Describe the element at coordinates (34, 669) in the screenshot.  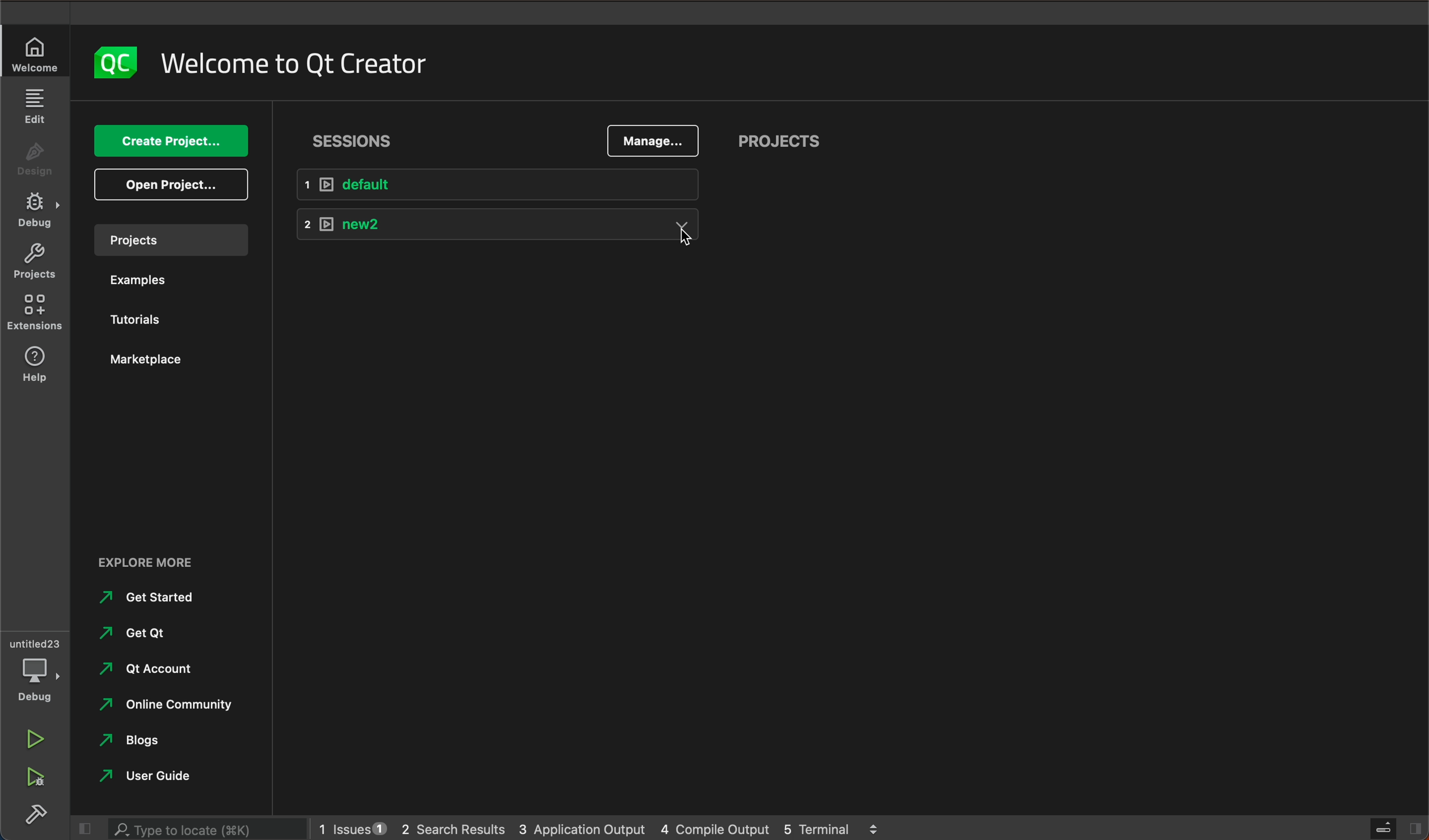
I see `debug` at that location.